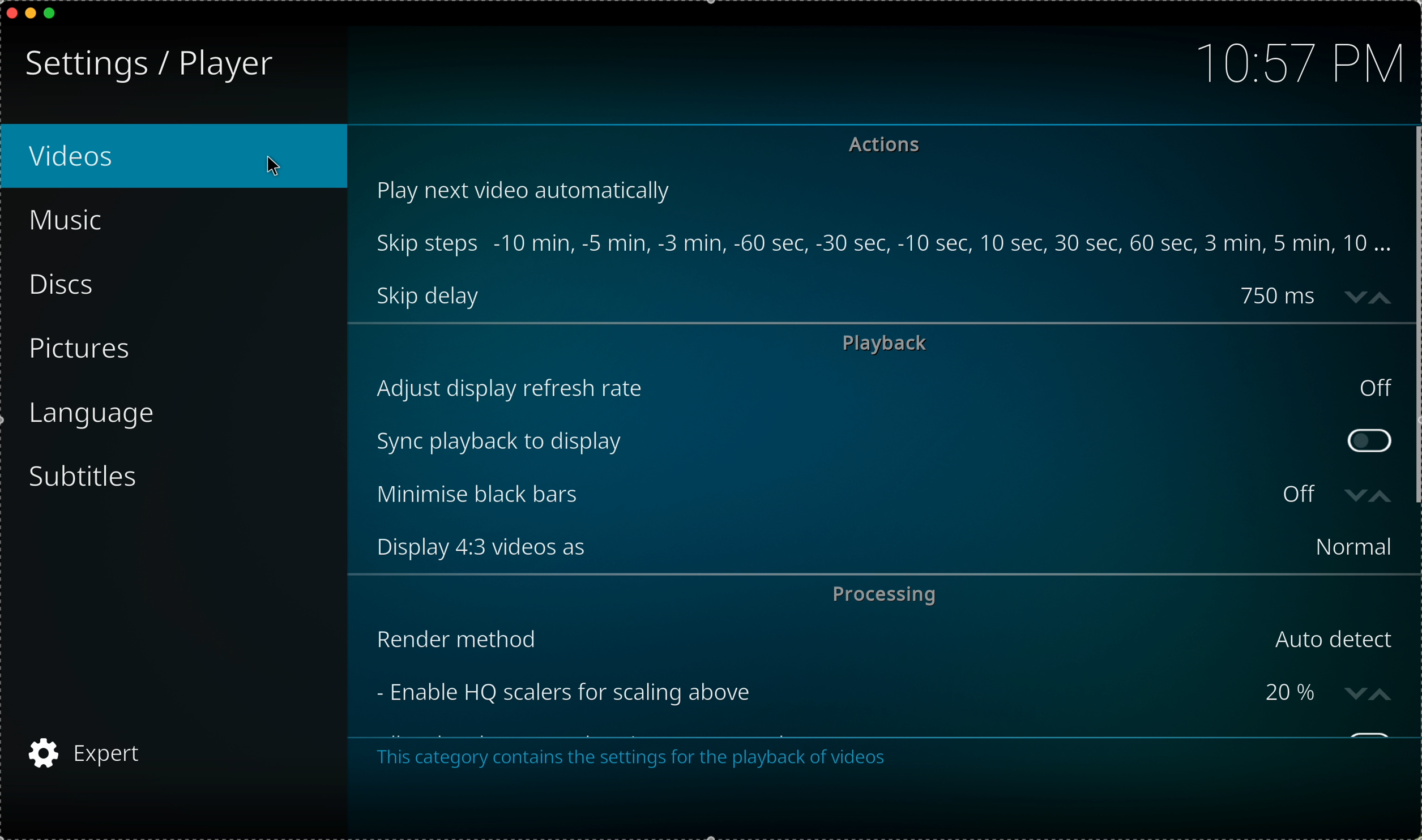  I want to click on adjust display refresh rate  off, so click(882, 388).